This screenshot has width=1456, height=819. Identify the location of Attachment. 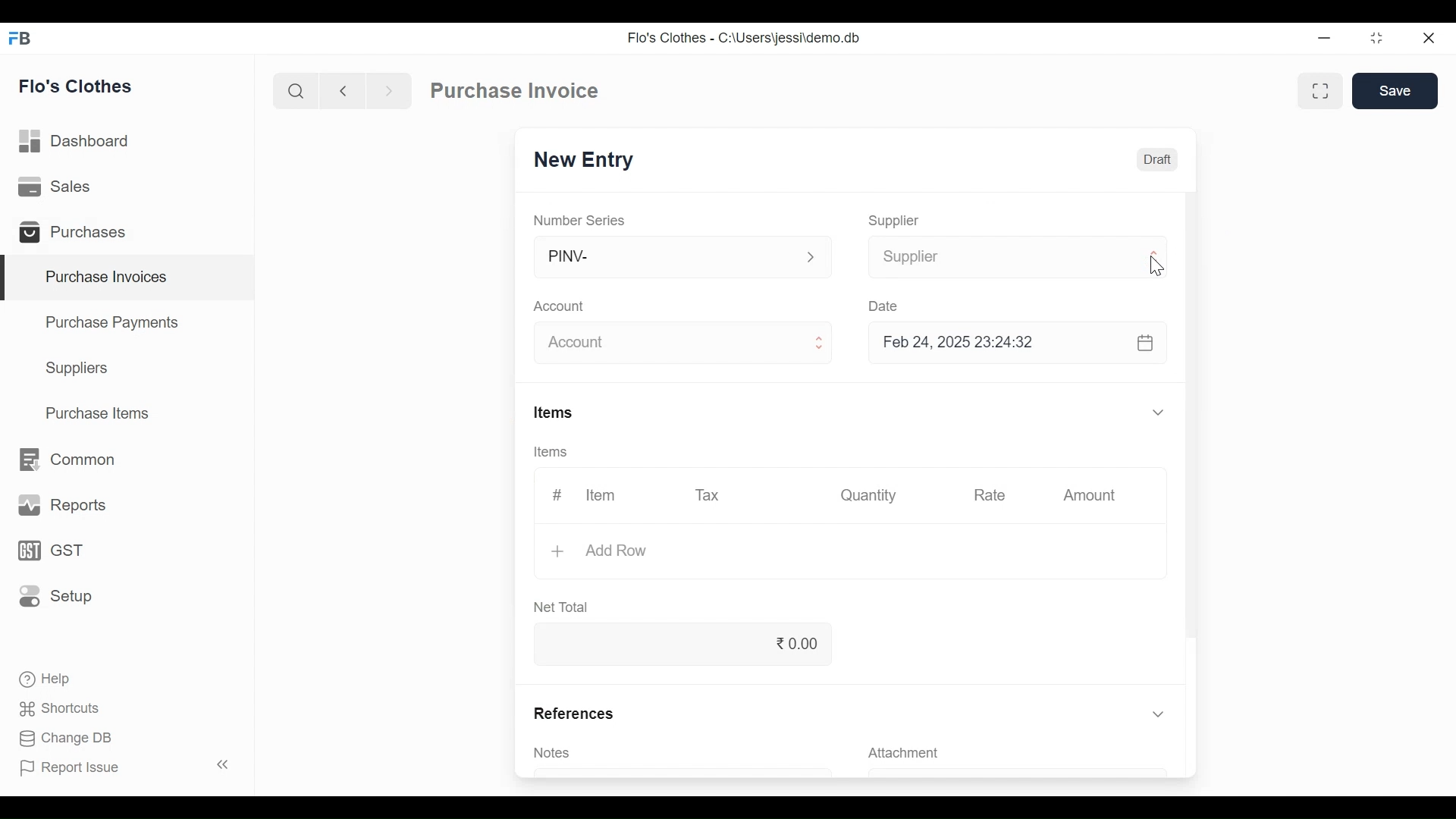
(906, 752).